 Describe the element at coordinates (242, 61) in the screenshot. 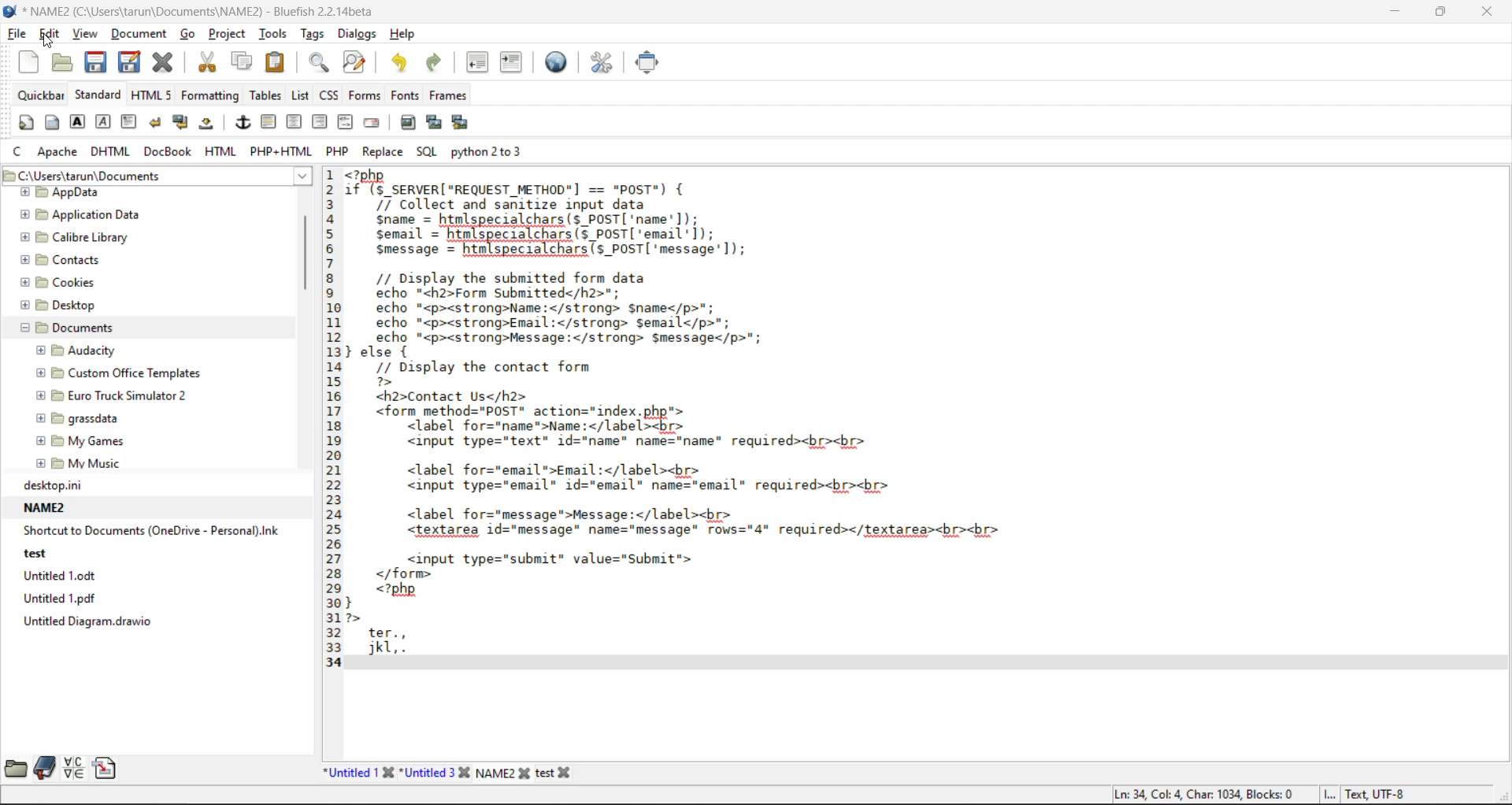

I see `copy` at that location.